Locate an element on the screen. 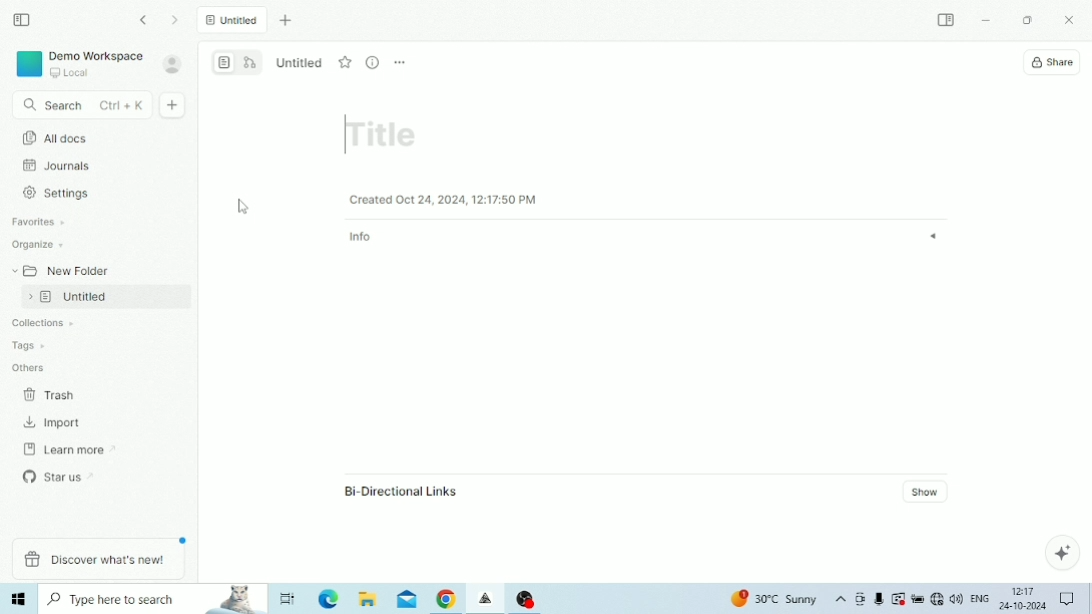 This screenshot has height=614, width=1092. Learn more is located at coordinates (63, 448).